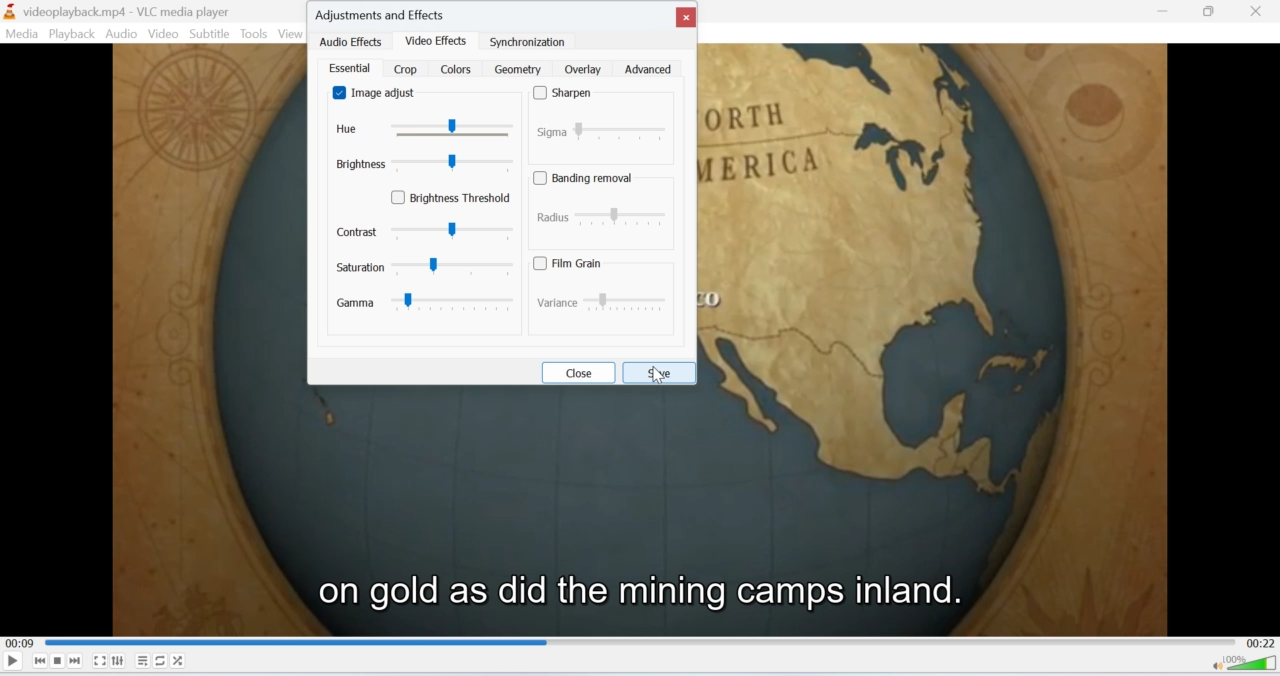  What do you see at coordinates (405, 68) in the screenshot?
I see `crop` at bounding box center [405, 68].